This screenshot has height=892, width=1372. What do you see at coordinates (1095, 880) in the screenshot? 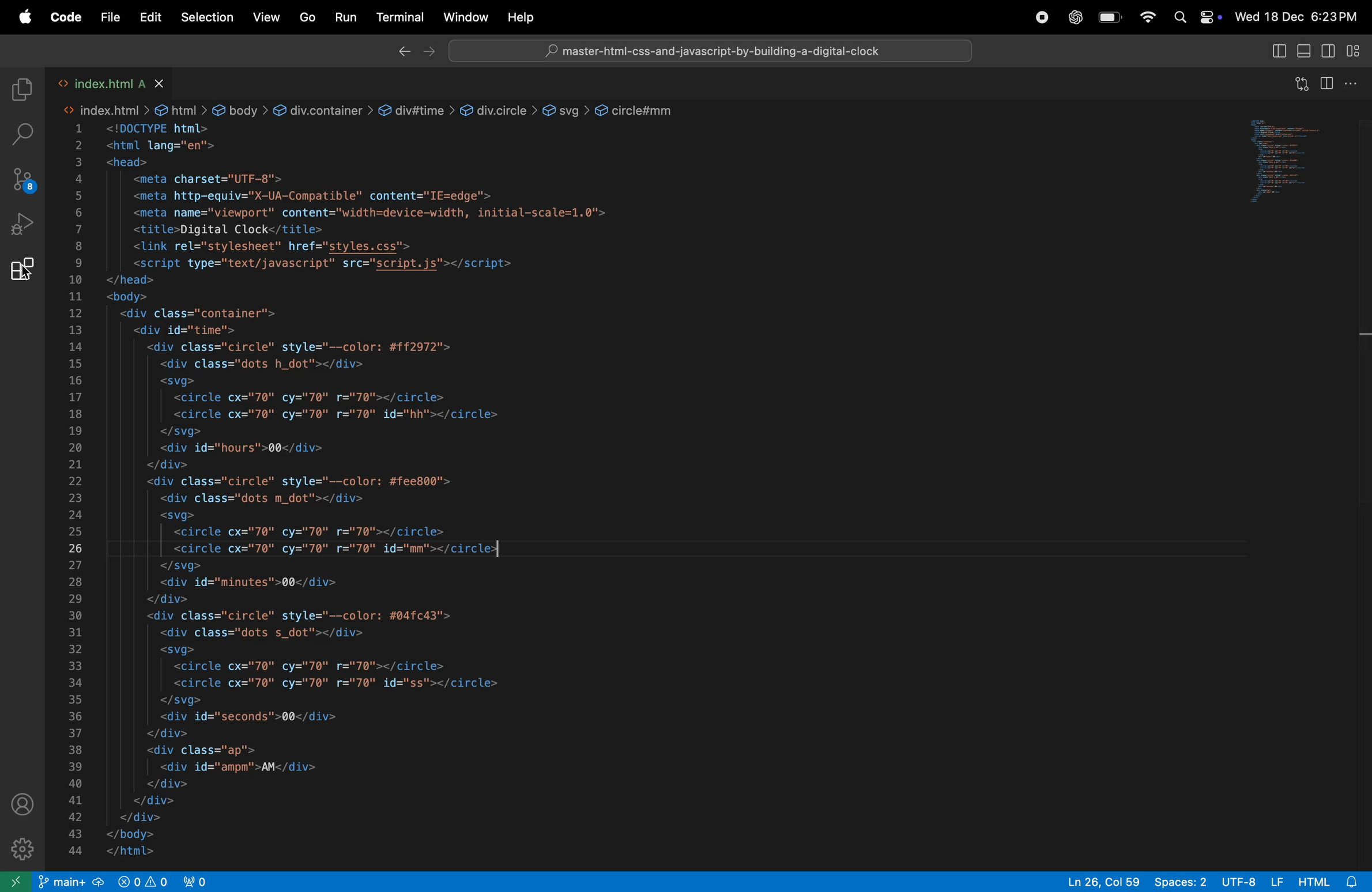
I see `ln col 59` at bounding box center [1095, 880].